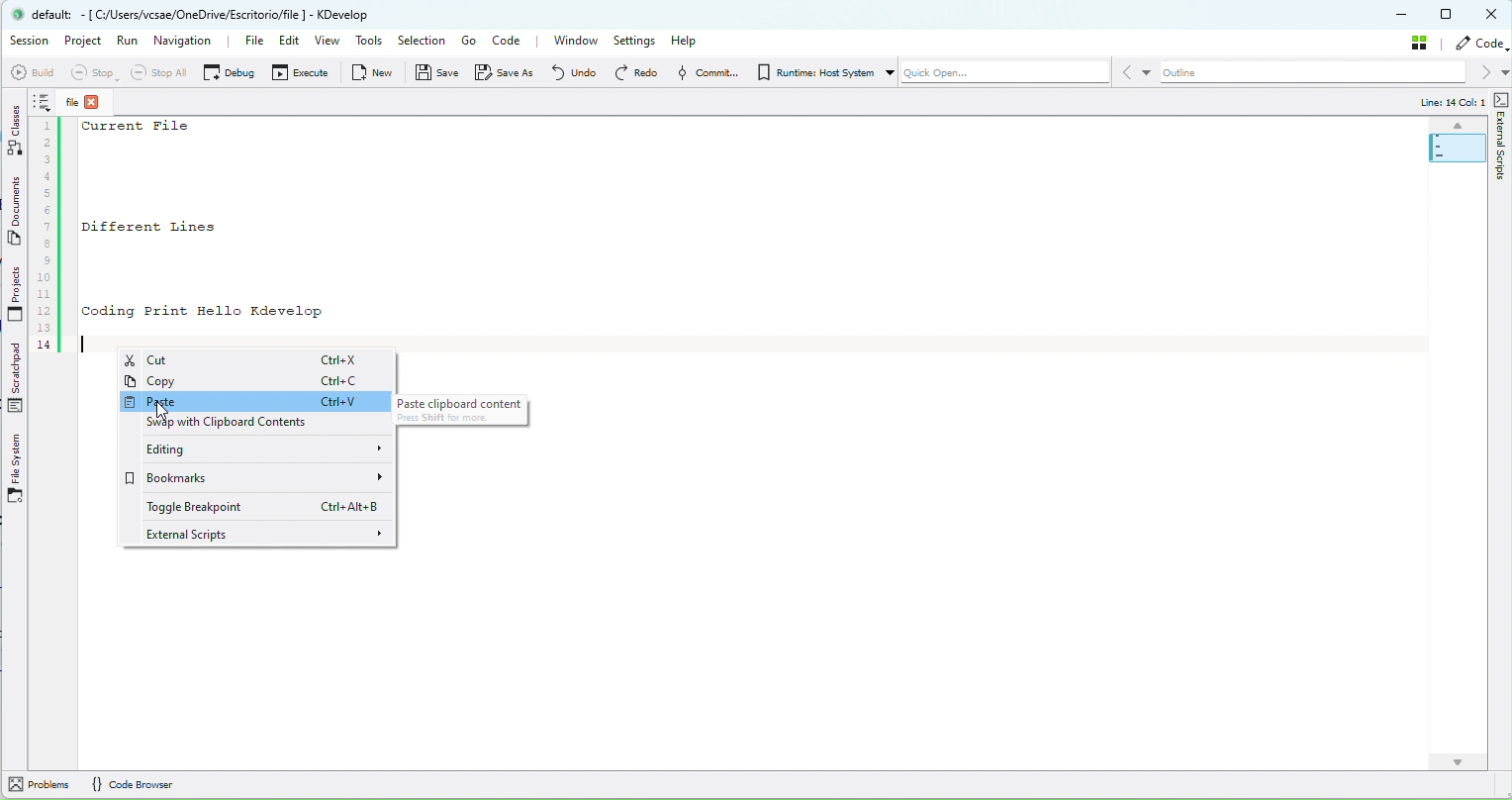  Describe the element at coordinates (512, 43) in the screenshot. I see `Code` at that location.